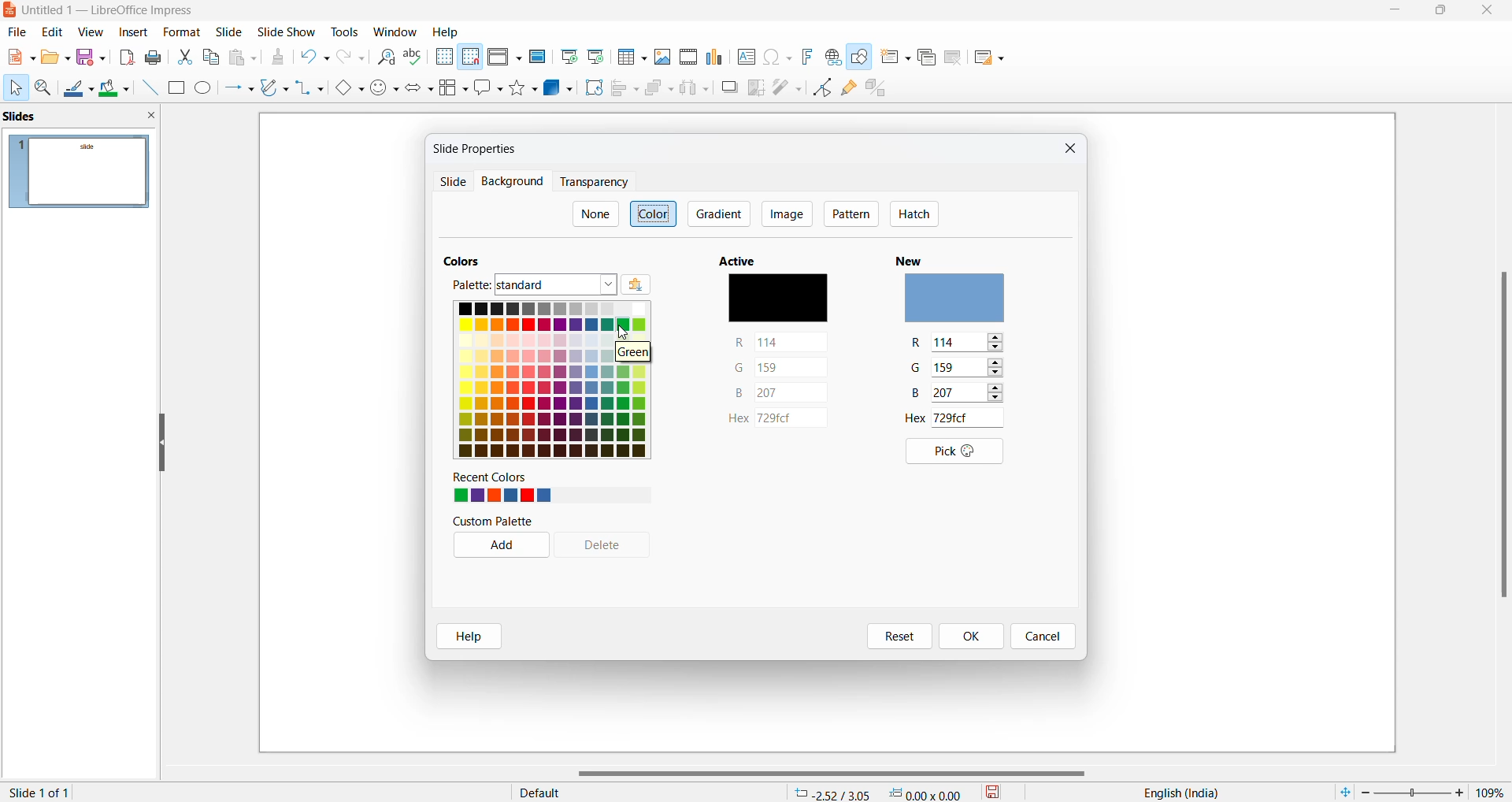 This screenshot has width=1512, height=802. What do you see at coordinates (43, 793) in the screenshot?
I see `current slide and slide number` at bounding box center [43, 793].